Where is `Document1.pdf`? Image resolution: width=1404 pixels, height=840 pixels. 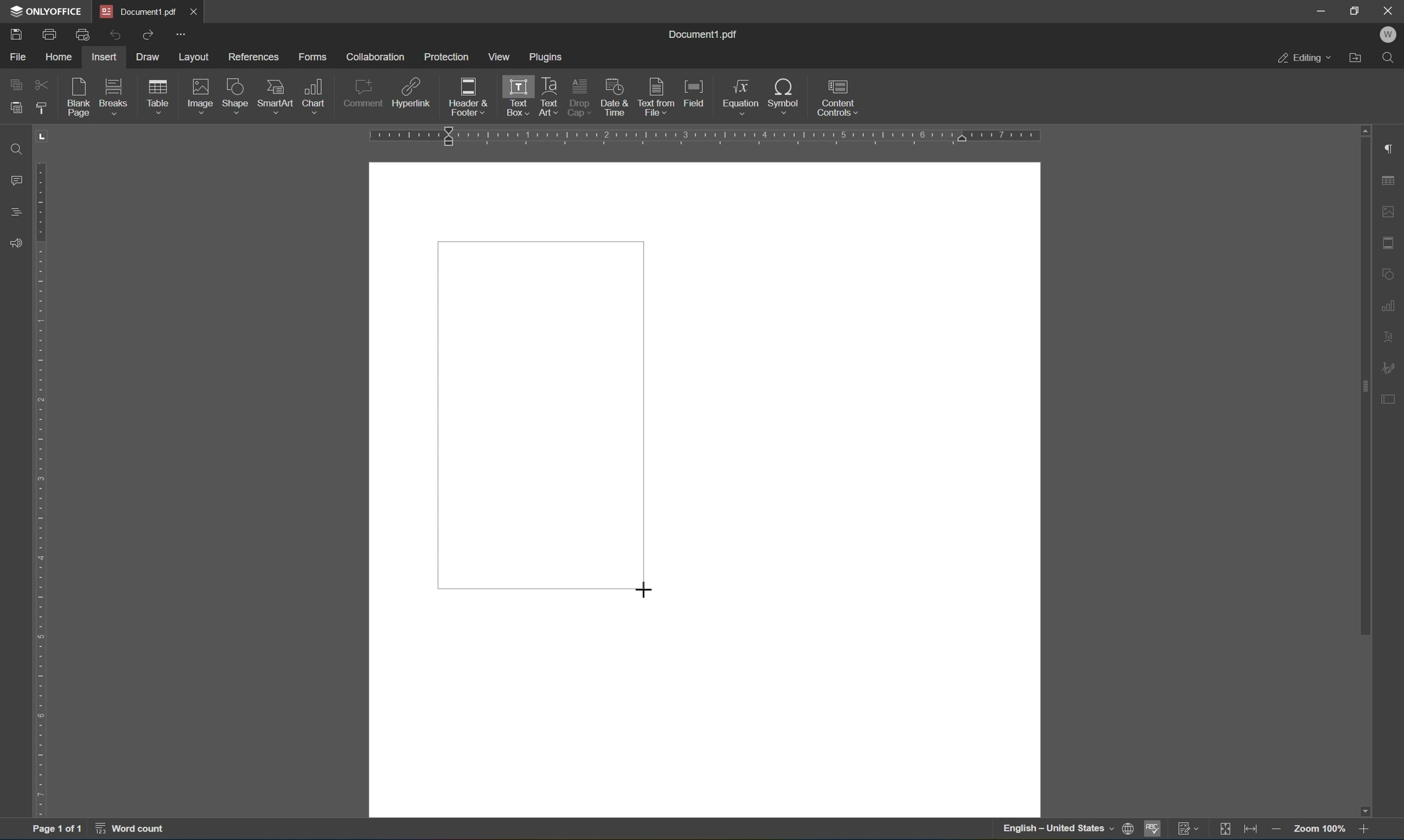 Document1.pdf is located at coordinates (138, 11).